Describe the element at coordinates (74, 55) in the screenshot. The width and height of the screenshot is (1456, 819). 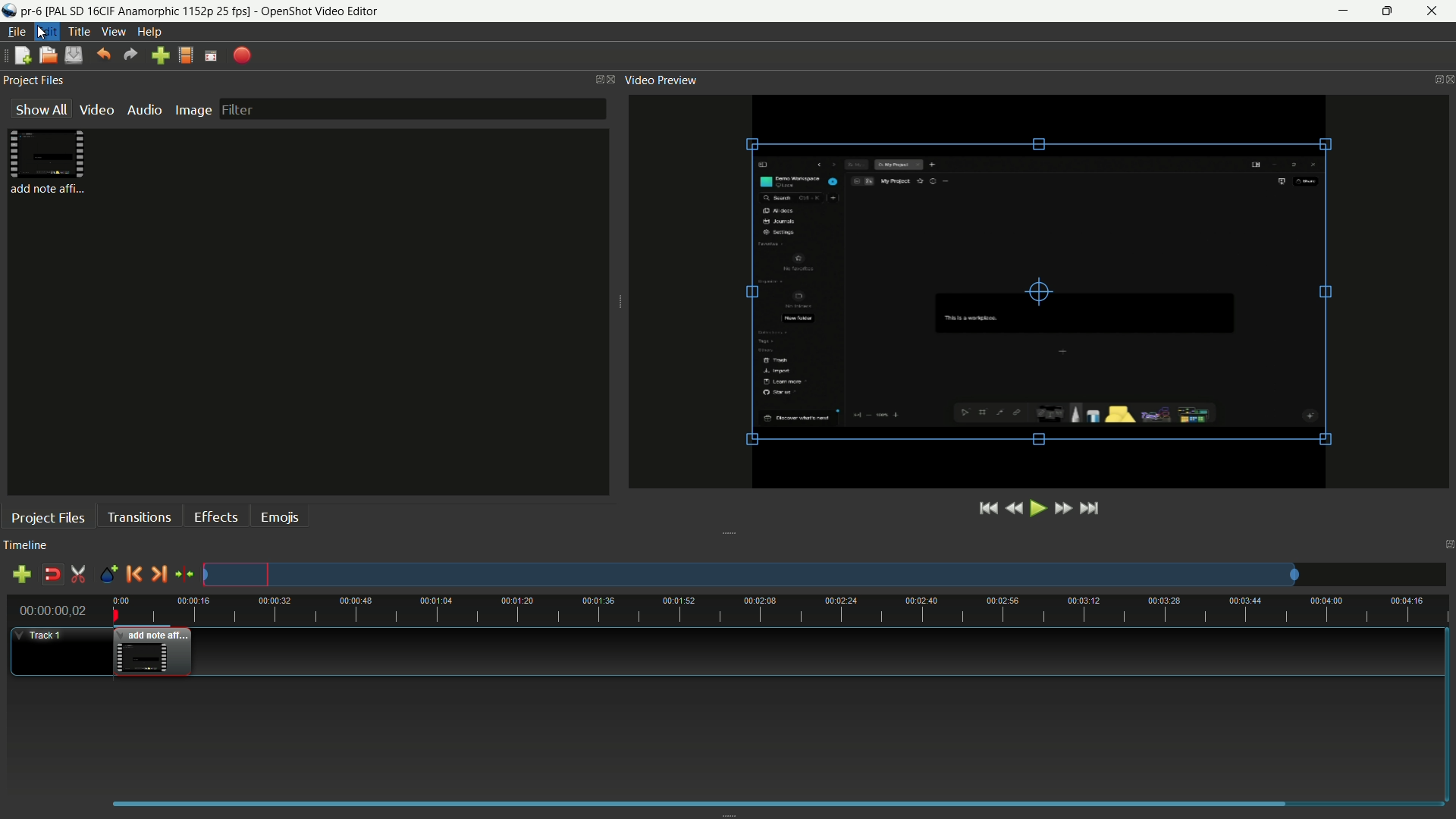
I see `save file` at that location.